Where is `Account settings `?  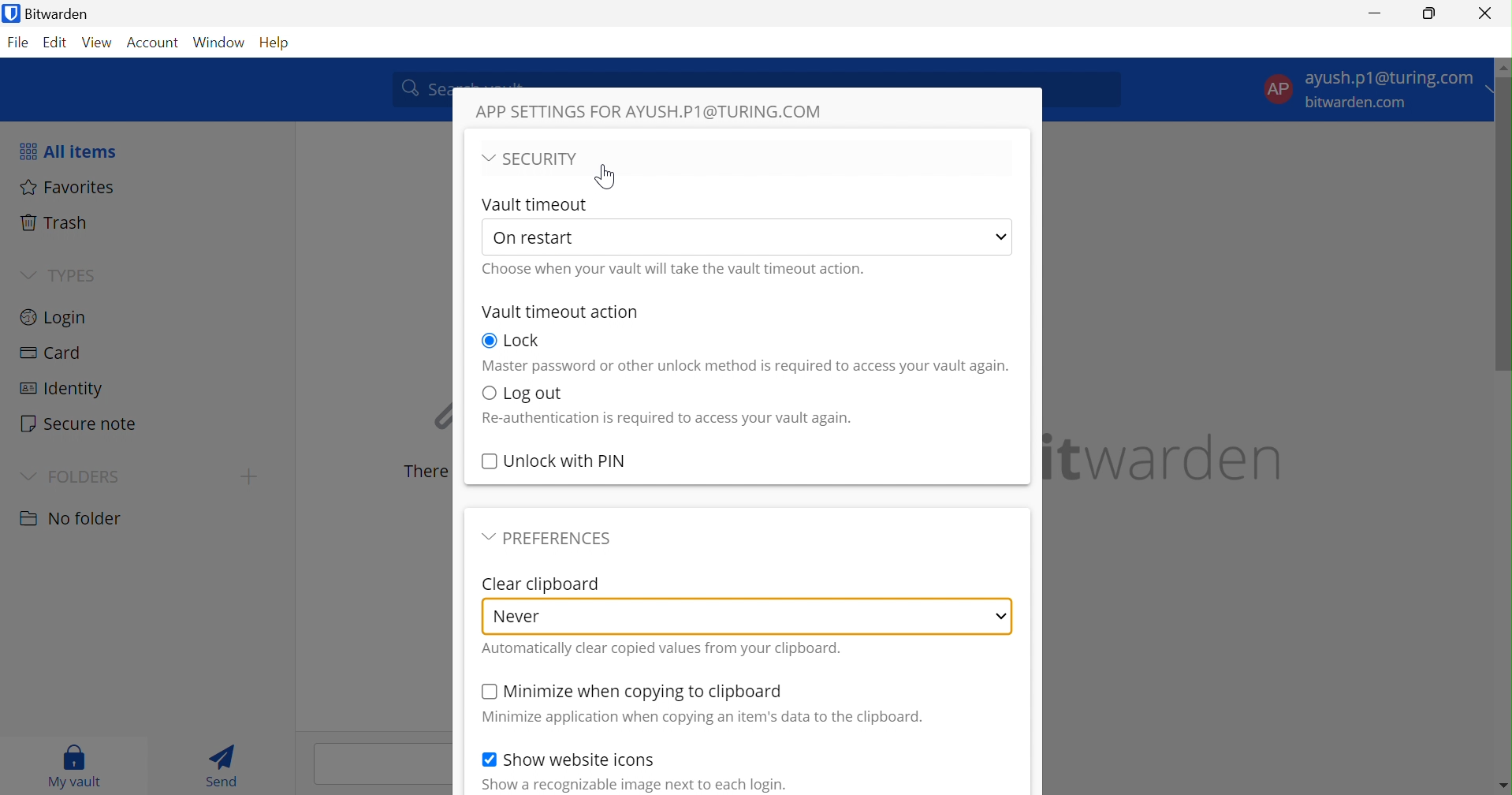
Account settings  is located at coordinates (1372, 87).